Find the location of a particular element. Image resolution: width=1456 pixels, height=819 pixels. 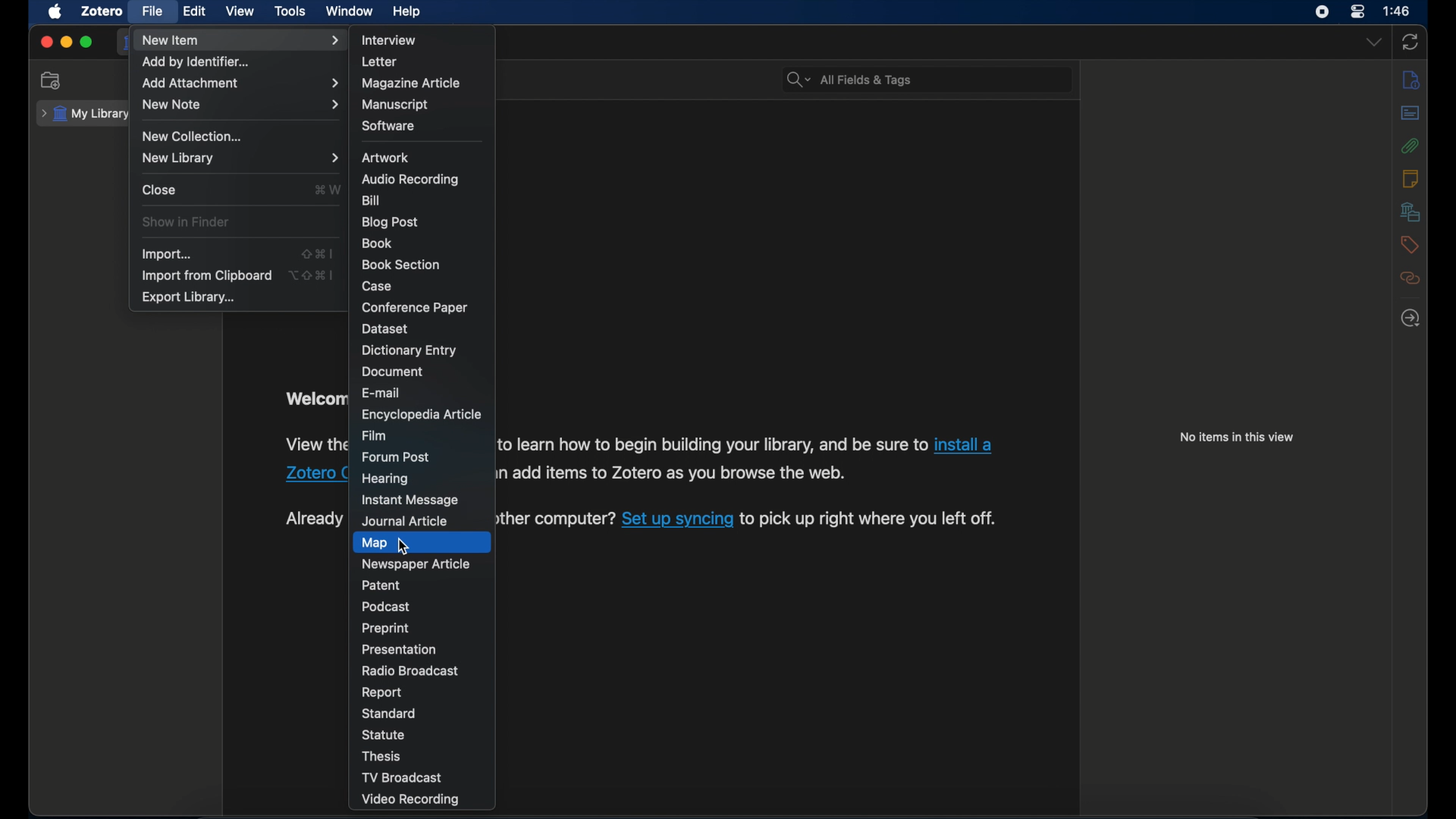

new collection is located at coordinates (192, 136).